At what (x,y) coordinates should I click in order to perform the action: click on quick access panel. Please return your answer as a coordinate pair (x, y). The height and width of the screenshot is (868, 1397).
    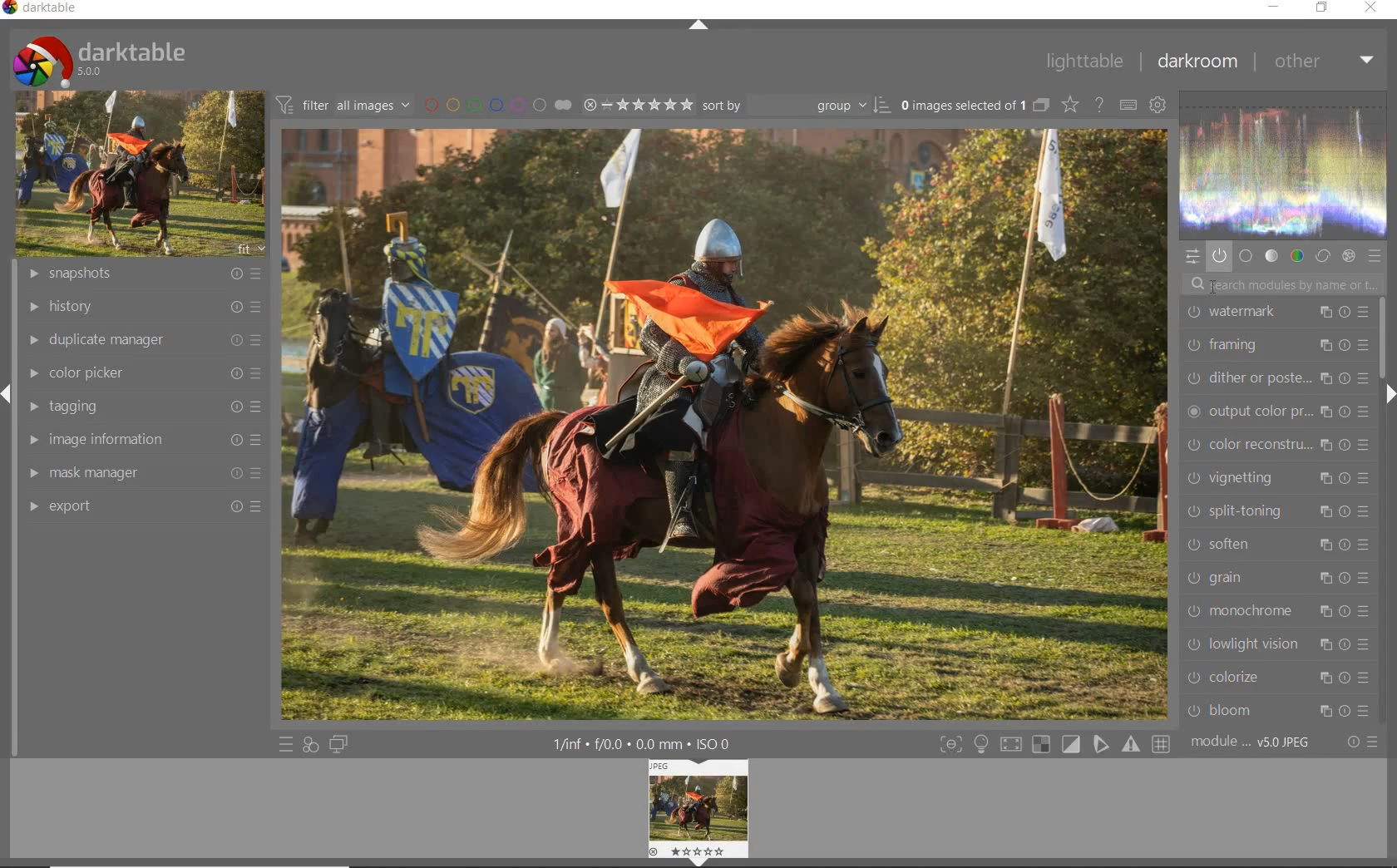
    Looking at the image, I should click on (1192, 256).